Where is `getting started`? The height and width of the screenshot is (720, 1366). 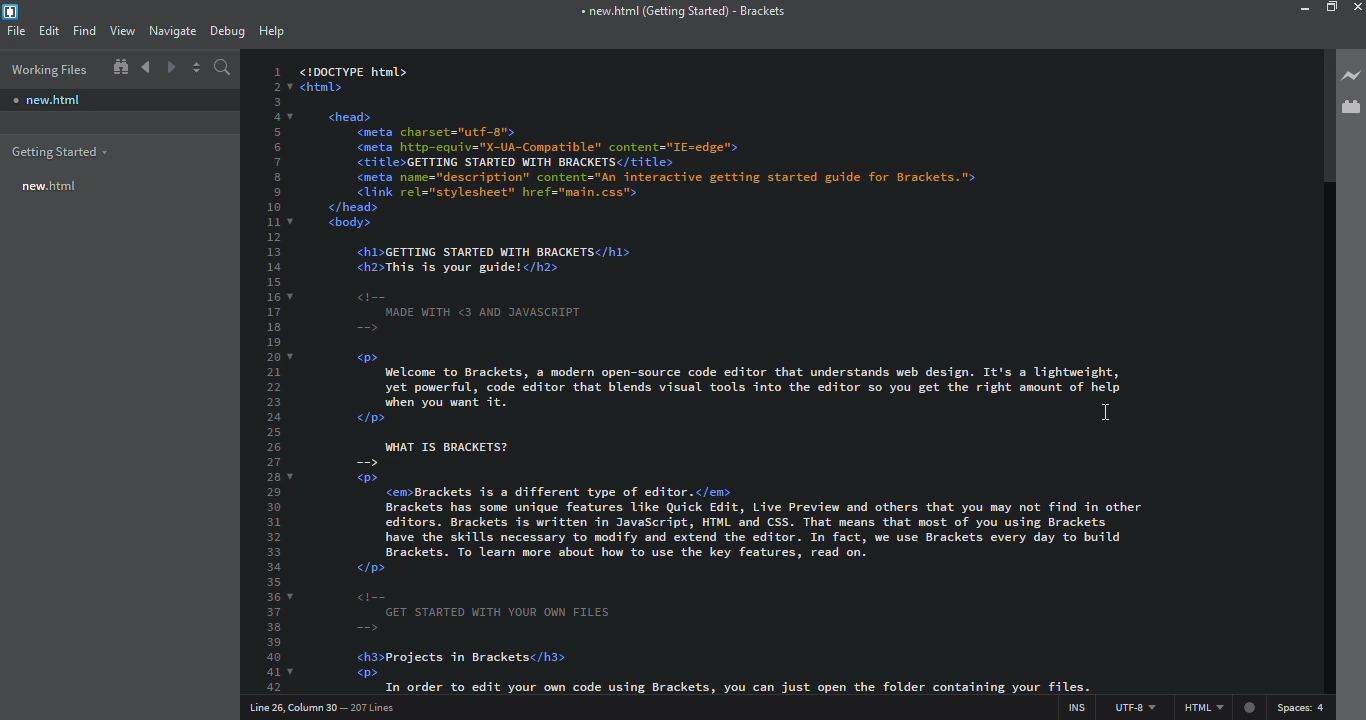 getting started is located at coordinates (61, 152).